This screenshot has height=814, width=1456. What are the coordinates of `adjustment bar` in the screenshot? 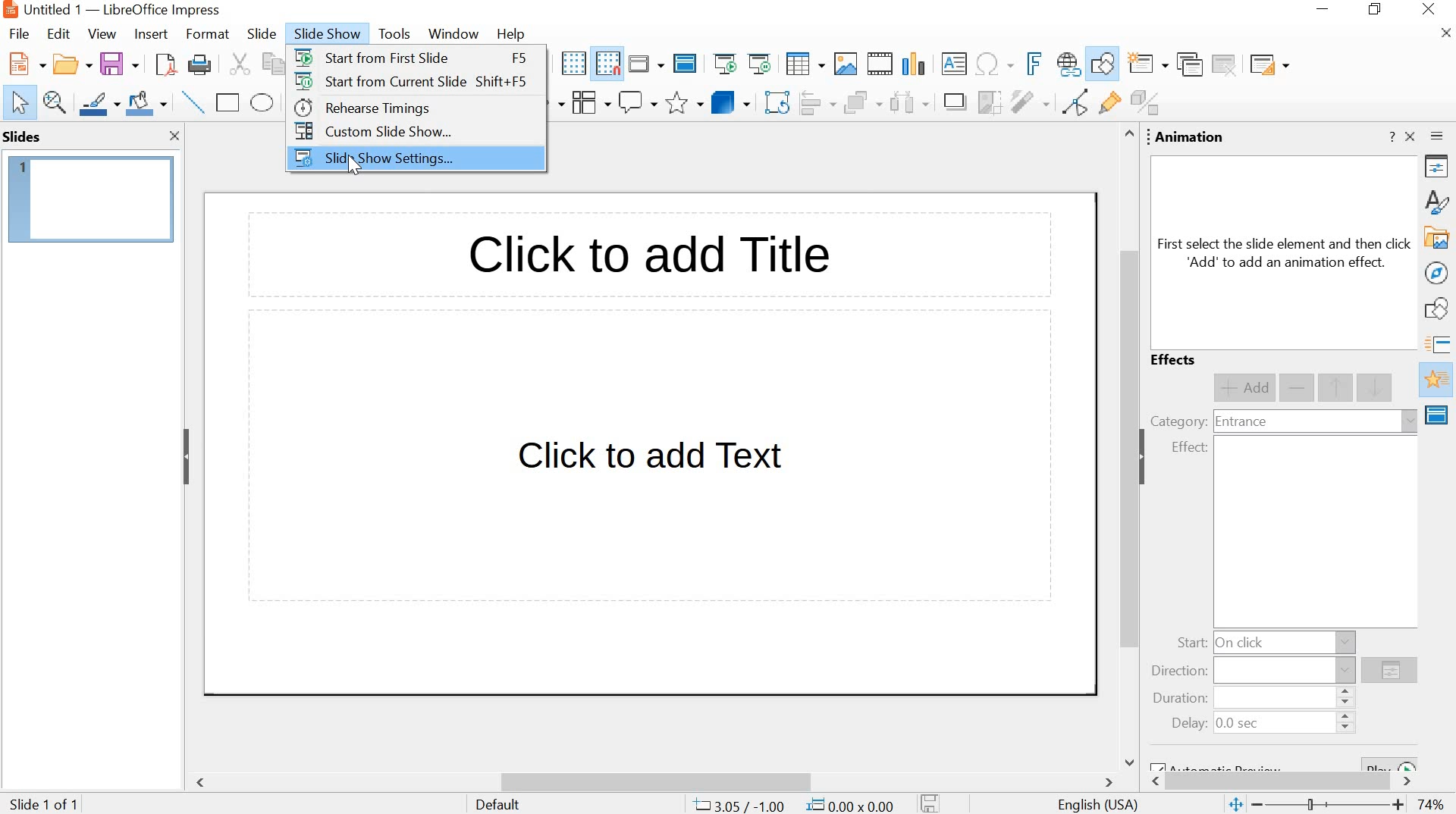 It's located at (1331, 806).